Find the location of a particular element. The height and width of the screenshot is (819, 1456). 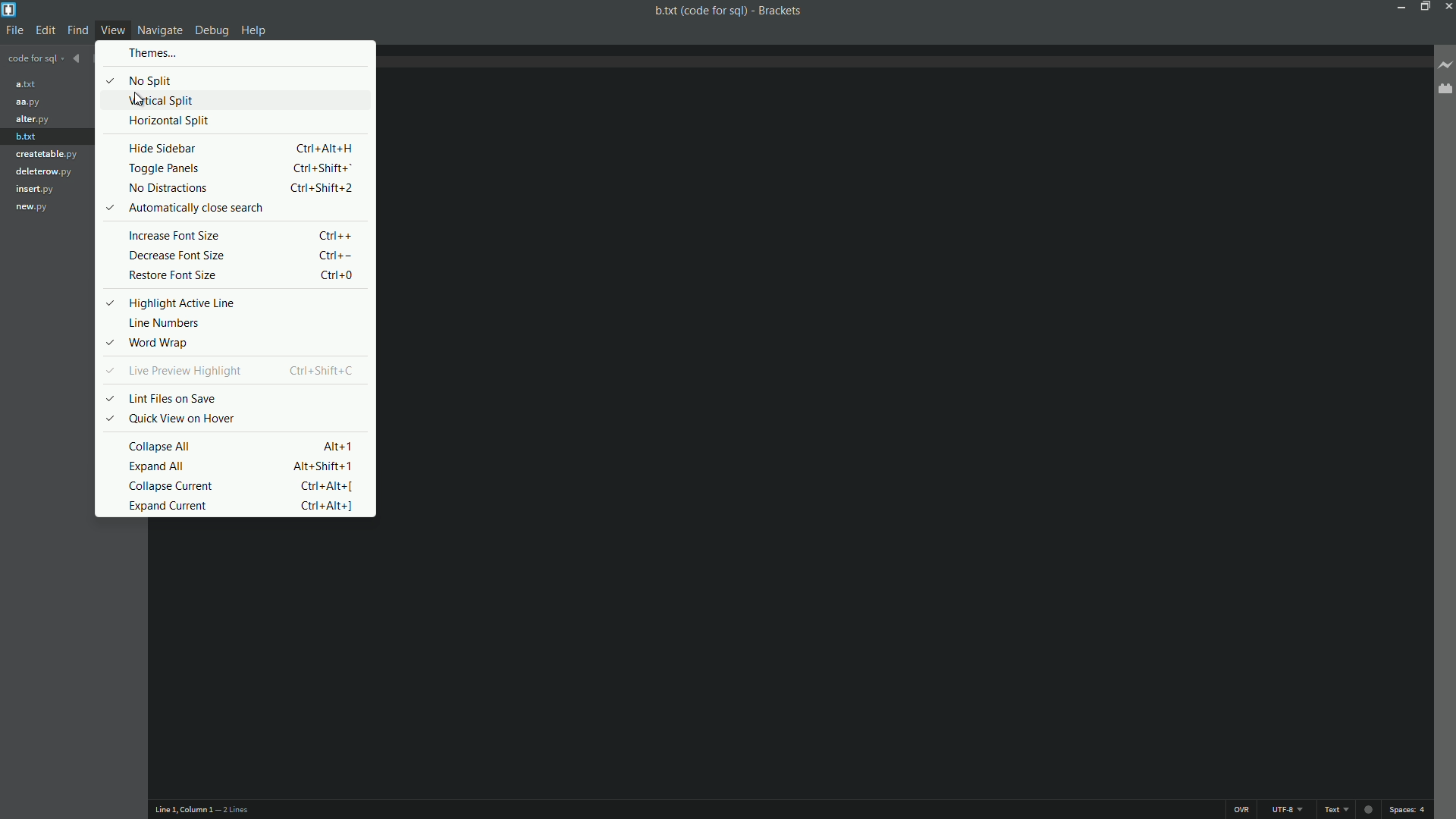

Unsaved indicator is located at coordinates (1373, 810).